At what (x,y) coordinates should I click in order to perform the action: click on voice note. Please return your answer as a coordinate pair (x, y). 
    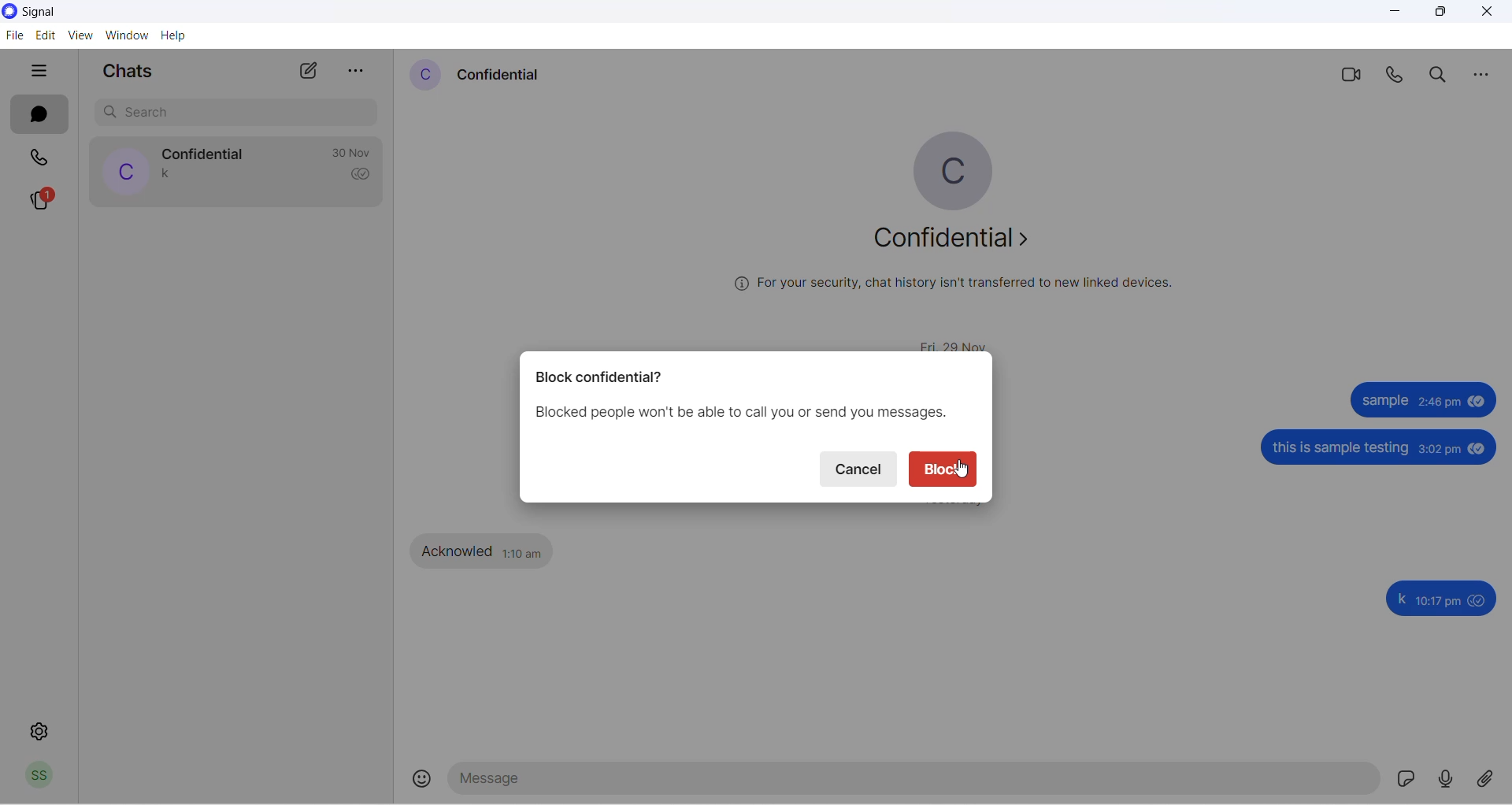
    Looking at the image, I should click on (1443, 777).